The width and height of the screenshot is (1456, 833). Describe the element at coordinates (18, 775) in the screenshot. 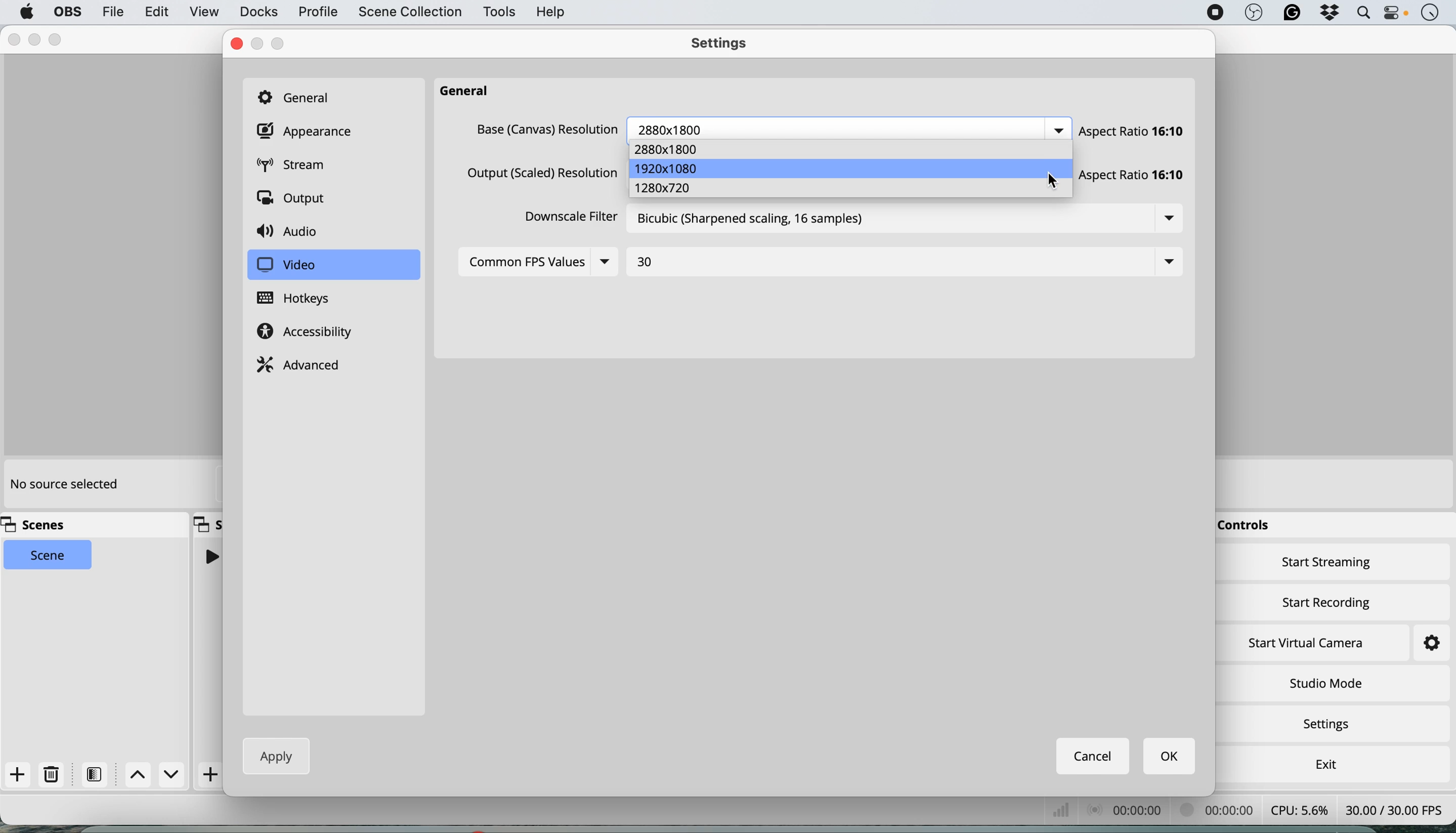

I see `add scene` at that location.